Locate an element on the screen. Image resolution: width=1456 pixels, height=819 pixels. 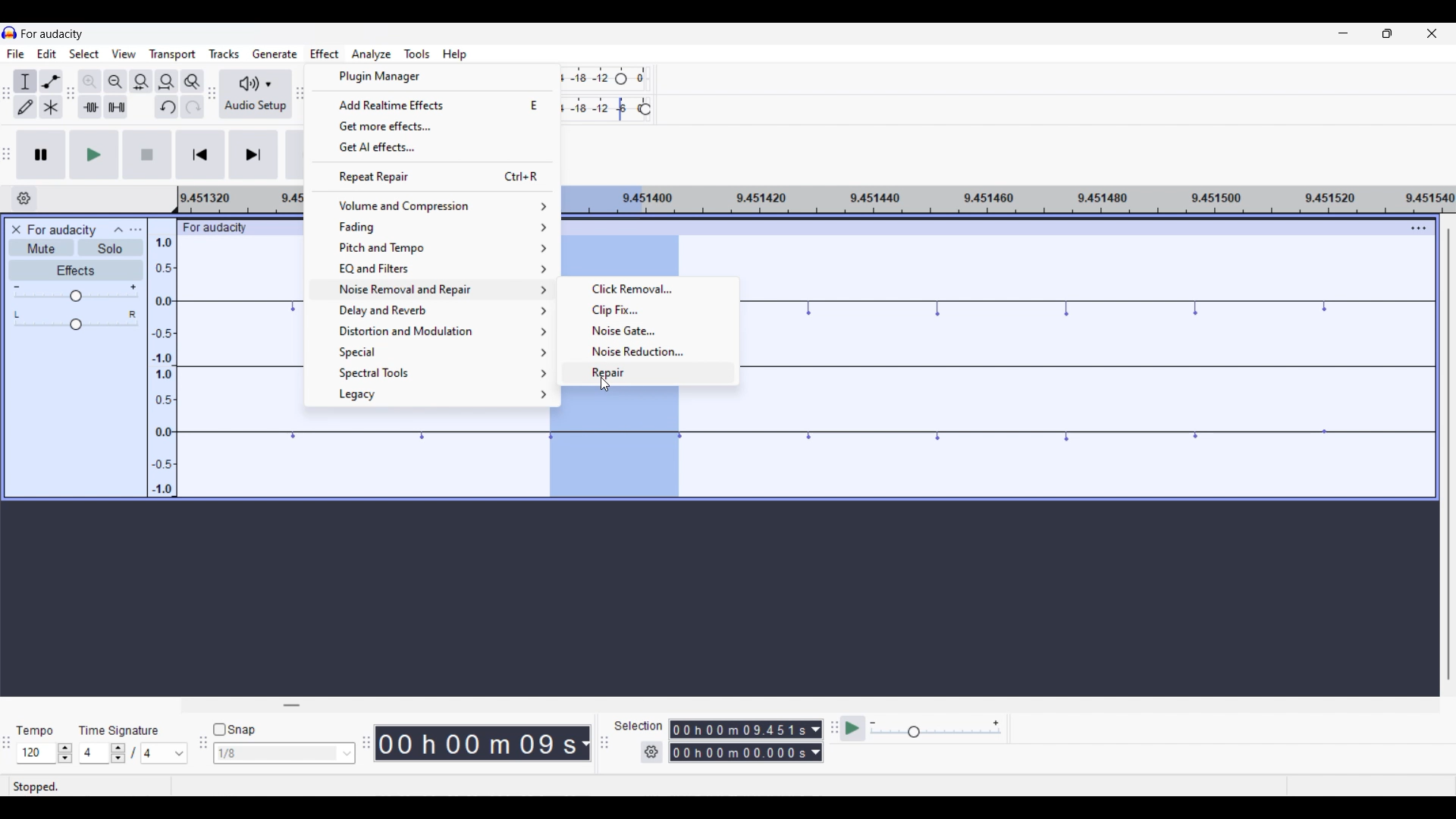
Legacy options is located at coordinates (433, 394).